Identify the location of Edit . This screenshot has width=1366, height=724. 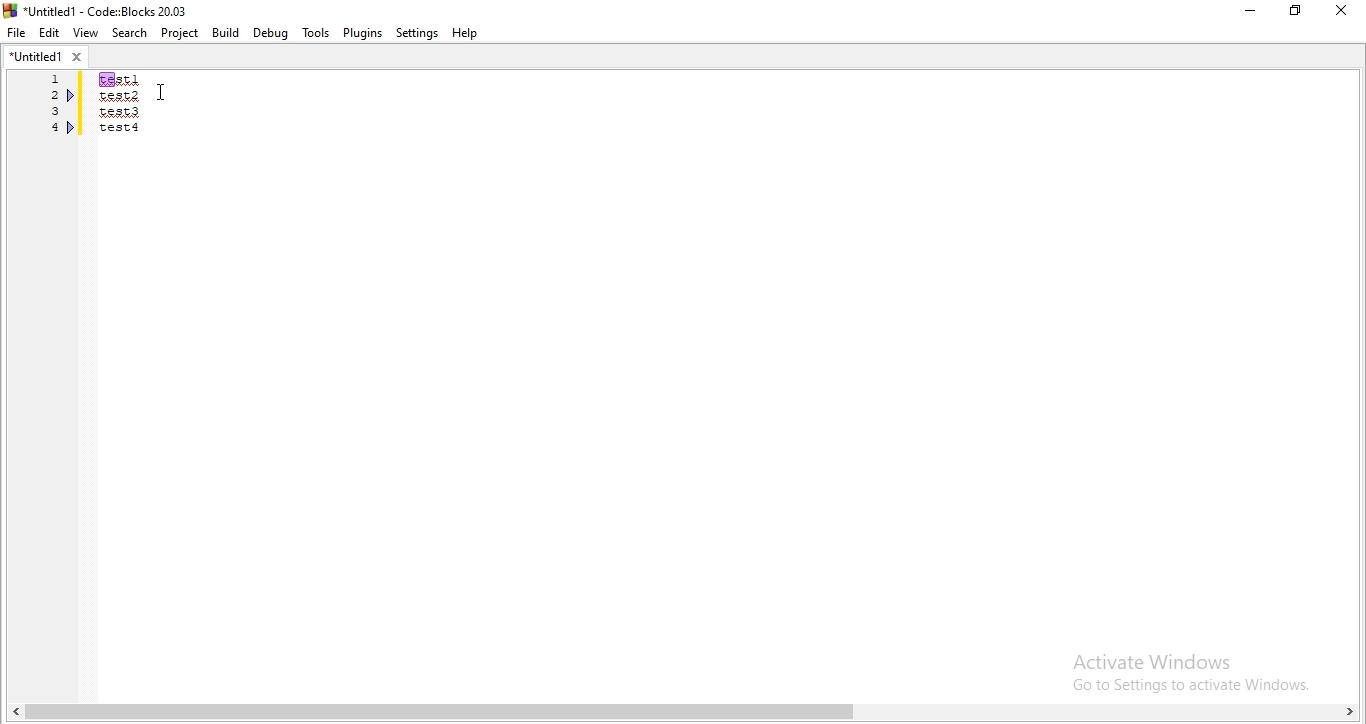
(48, 32).